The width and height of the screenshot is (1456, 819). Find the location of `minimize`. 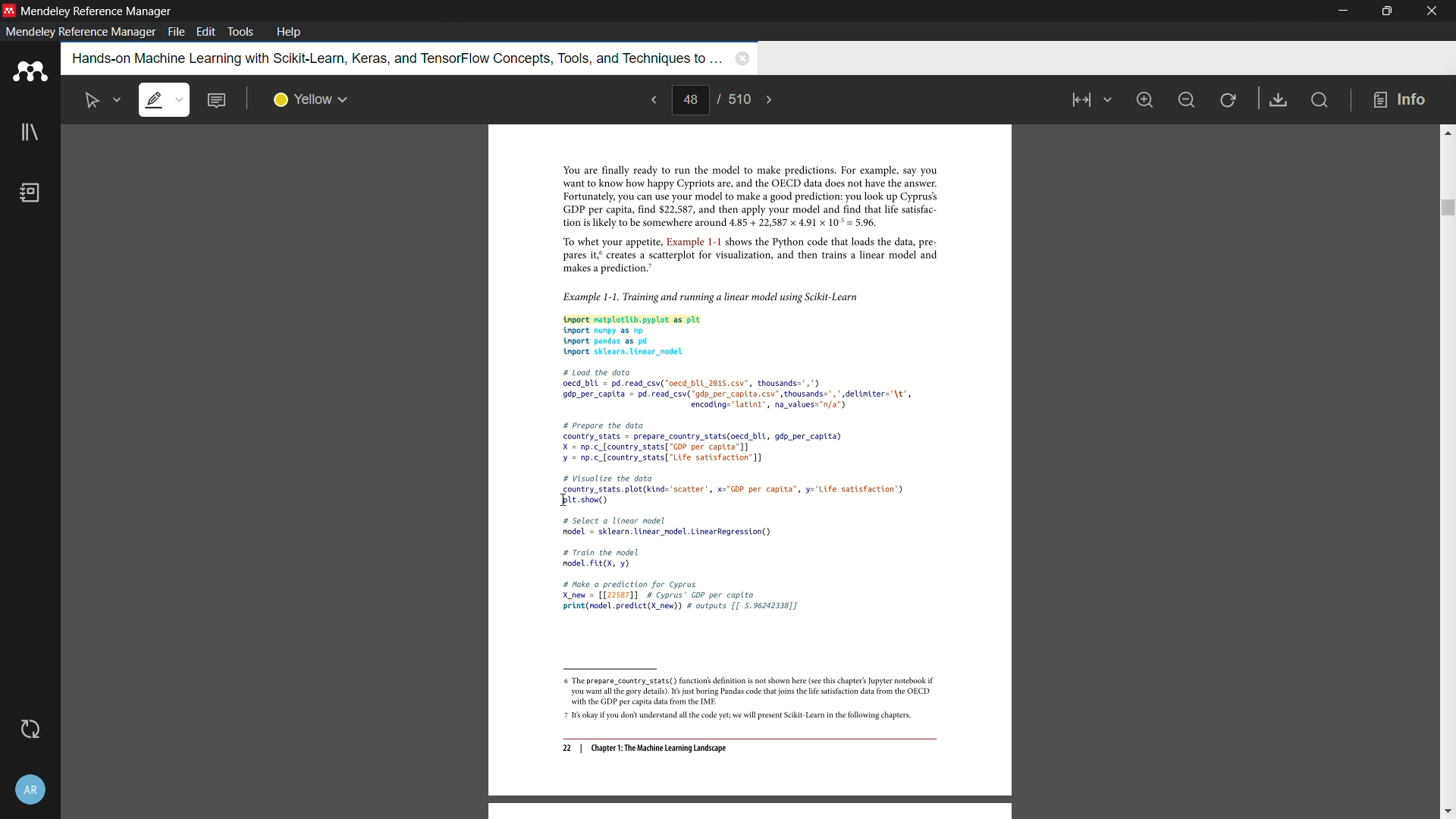

minimize is located at coordinates (1186, 100).